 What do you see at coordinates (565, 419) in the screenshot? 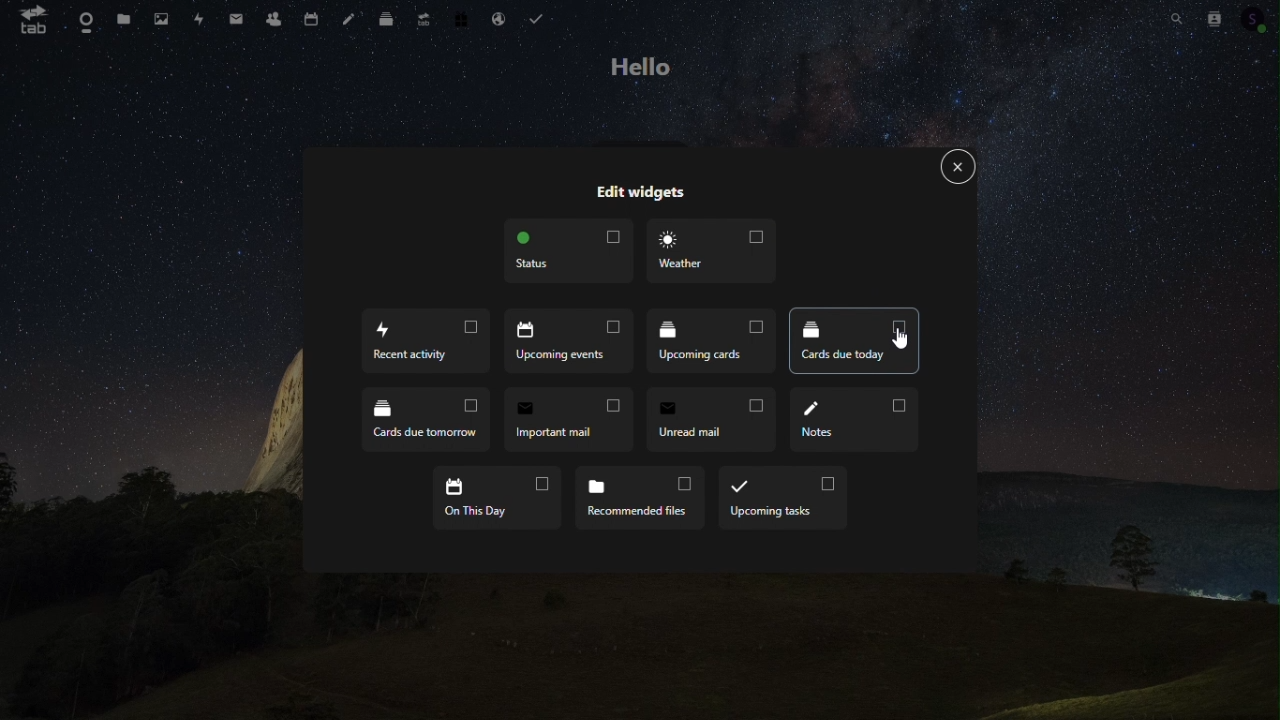
I see `Important mail` at bounding box center [565, 419].